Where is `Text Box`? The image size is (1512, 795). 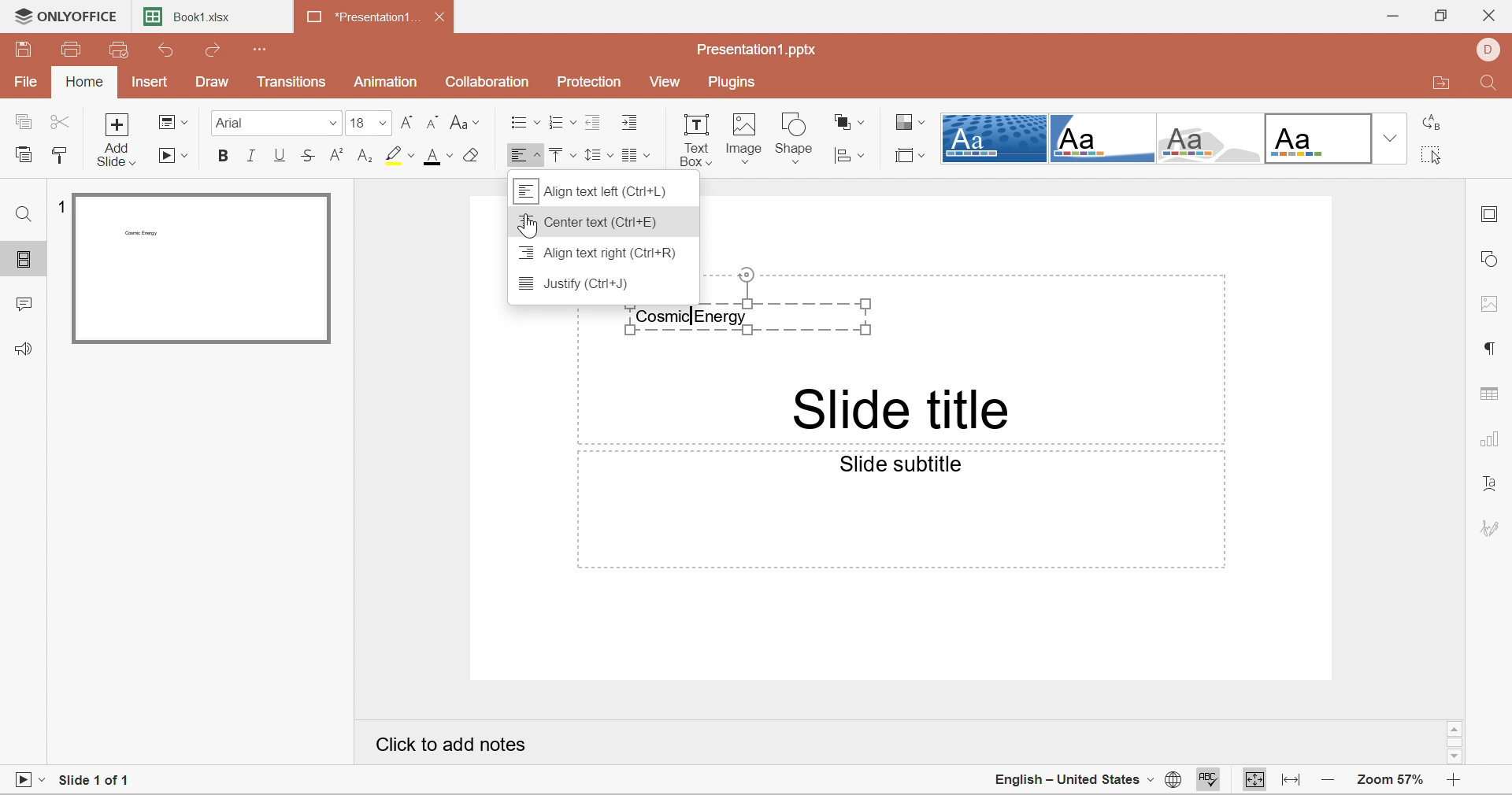
Text Box is located at coordinates (697, 138).